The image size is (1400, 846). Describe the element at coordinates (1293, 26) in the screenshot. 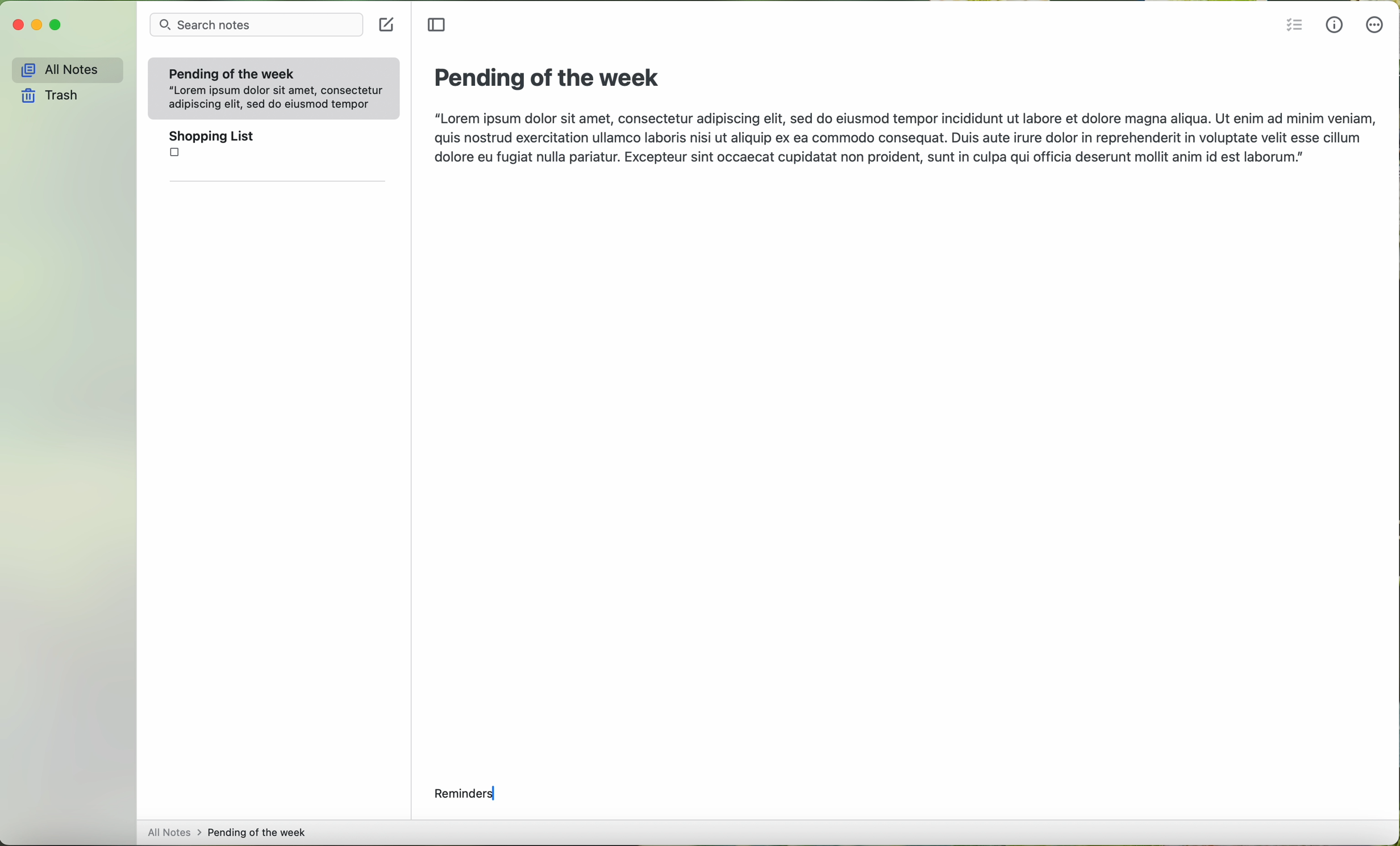

I see `insert checklist` at that location.